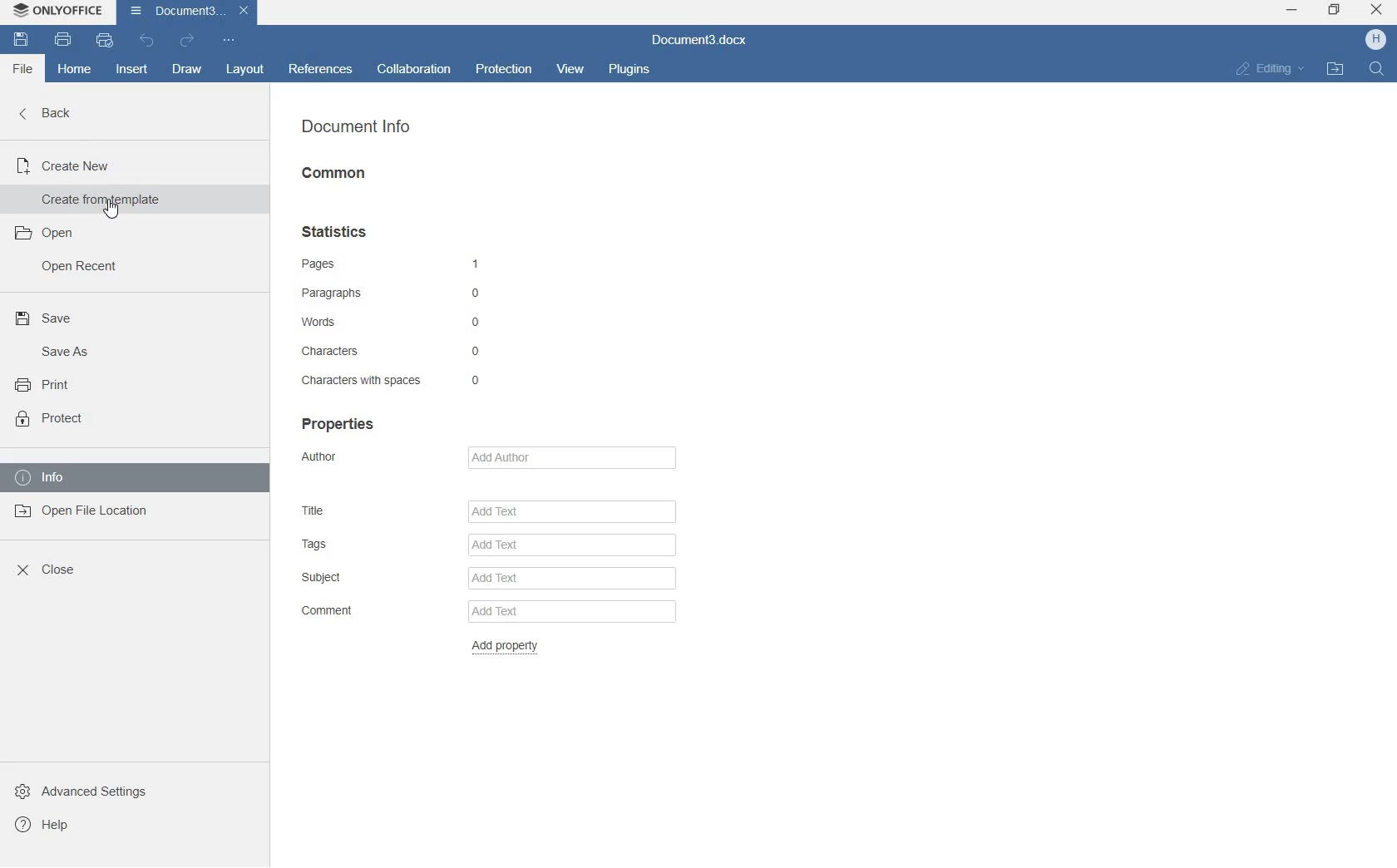 This screenshot has width=1397, height=868. I want to click on characters 0, so click(391, 353).